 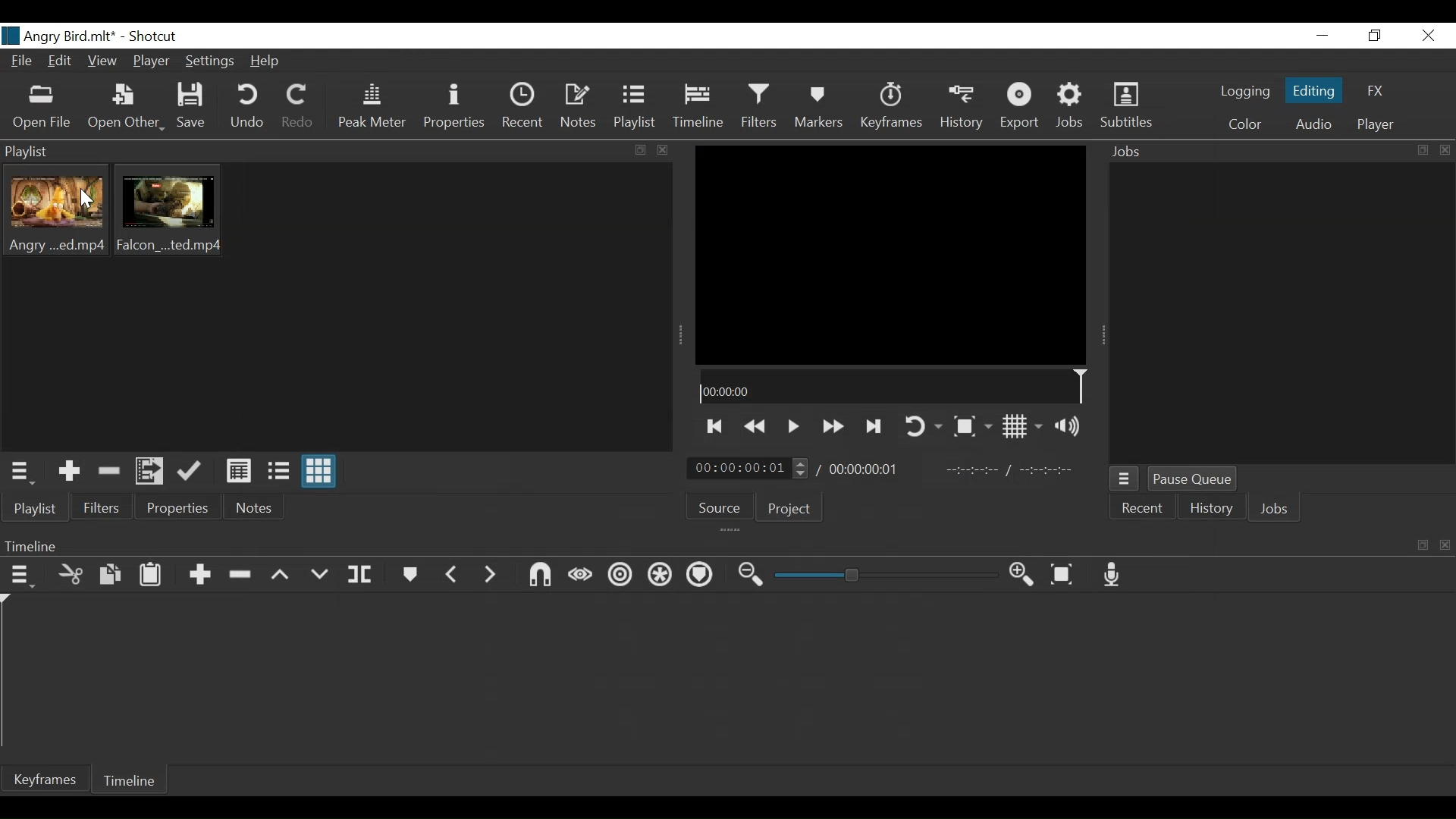 What do you see at coordinates (1026, 426) in the screenshot?
I see `Toggle display grid on player` at bounding box center [1026, 426].